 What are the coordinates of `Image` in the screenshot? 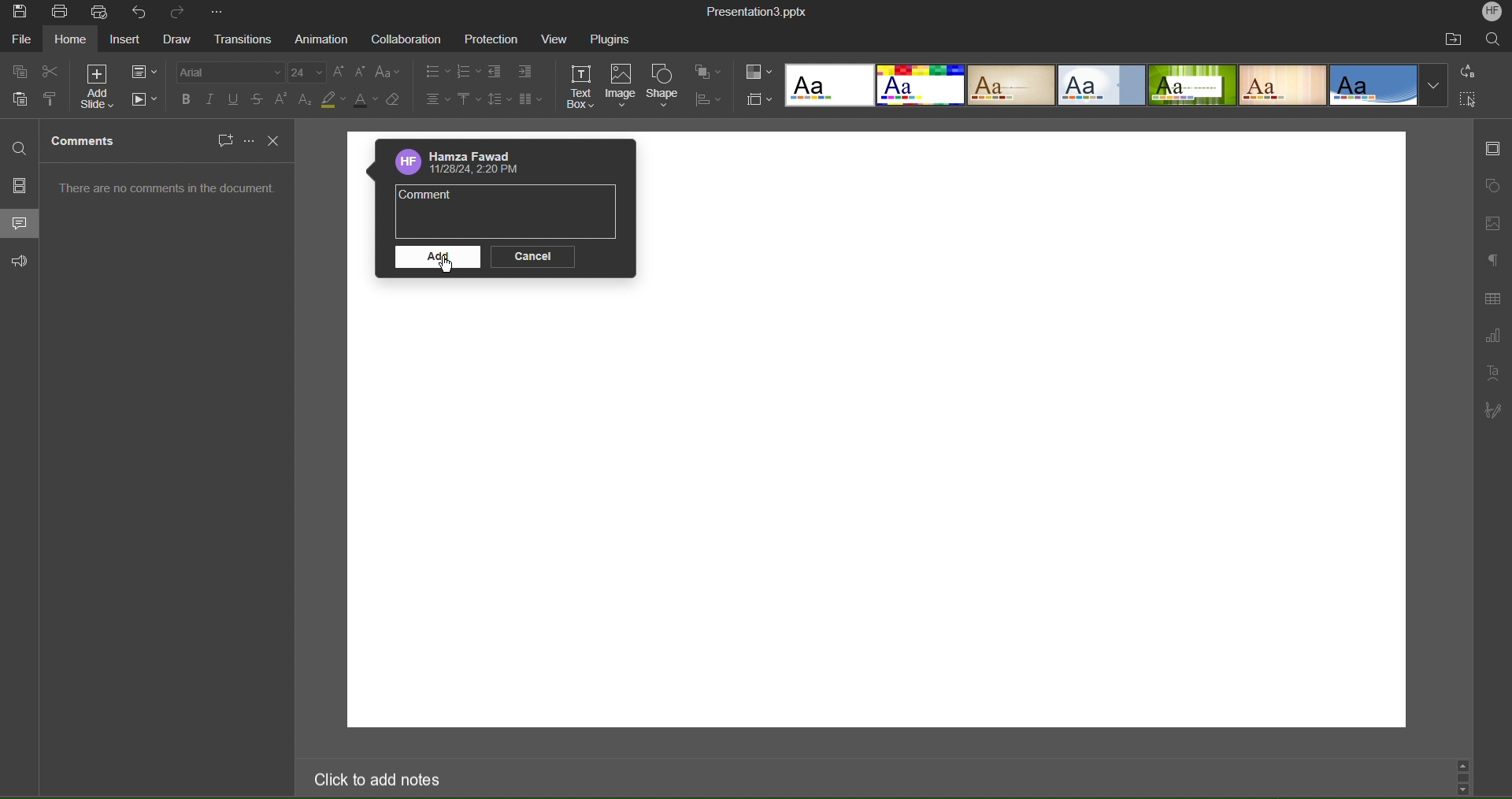 It's located at (624, 86).